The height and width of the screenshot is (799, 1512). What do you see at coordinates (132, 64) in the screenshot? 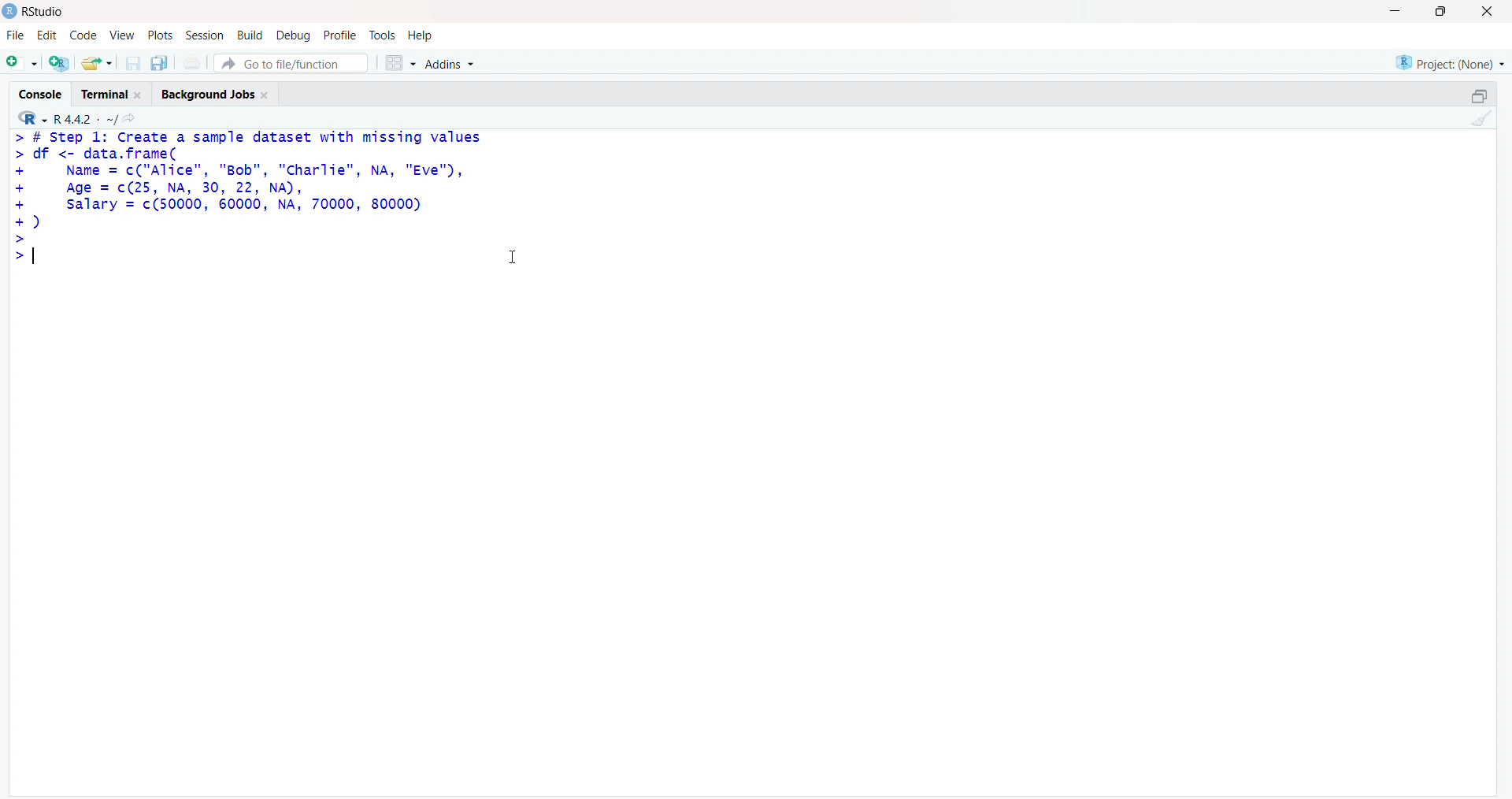
I see `Save current document (Ctrl + S)` at bounding box center [132, 64].